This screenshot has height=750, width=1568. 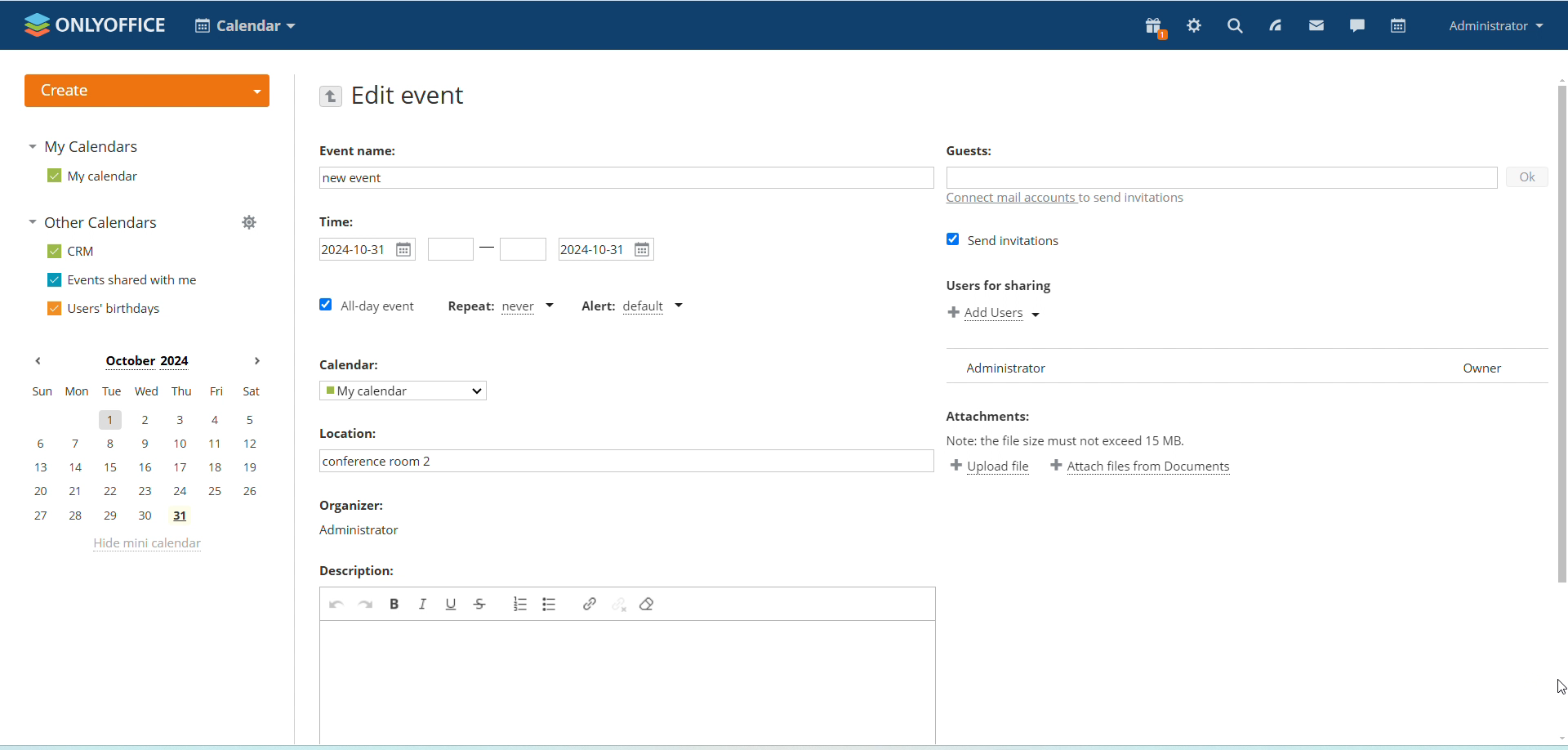 What do you see at coordinates (991, 466) in the screenshot?
I see `upload file` at bounding box center [991, 466].